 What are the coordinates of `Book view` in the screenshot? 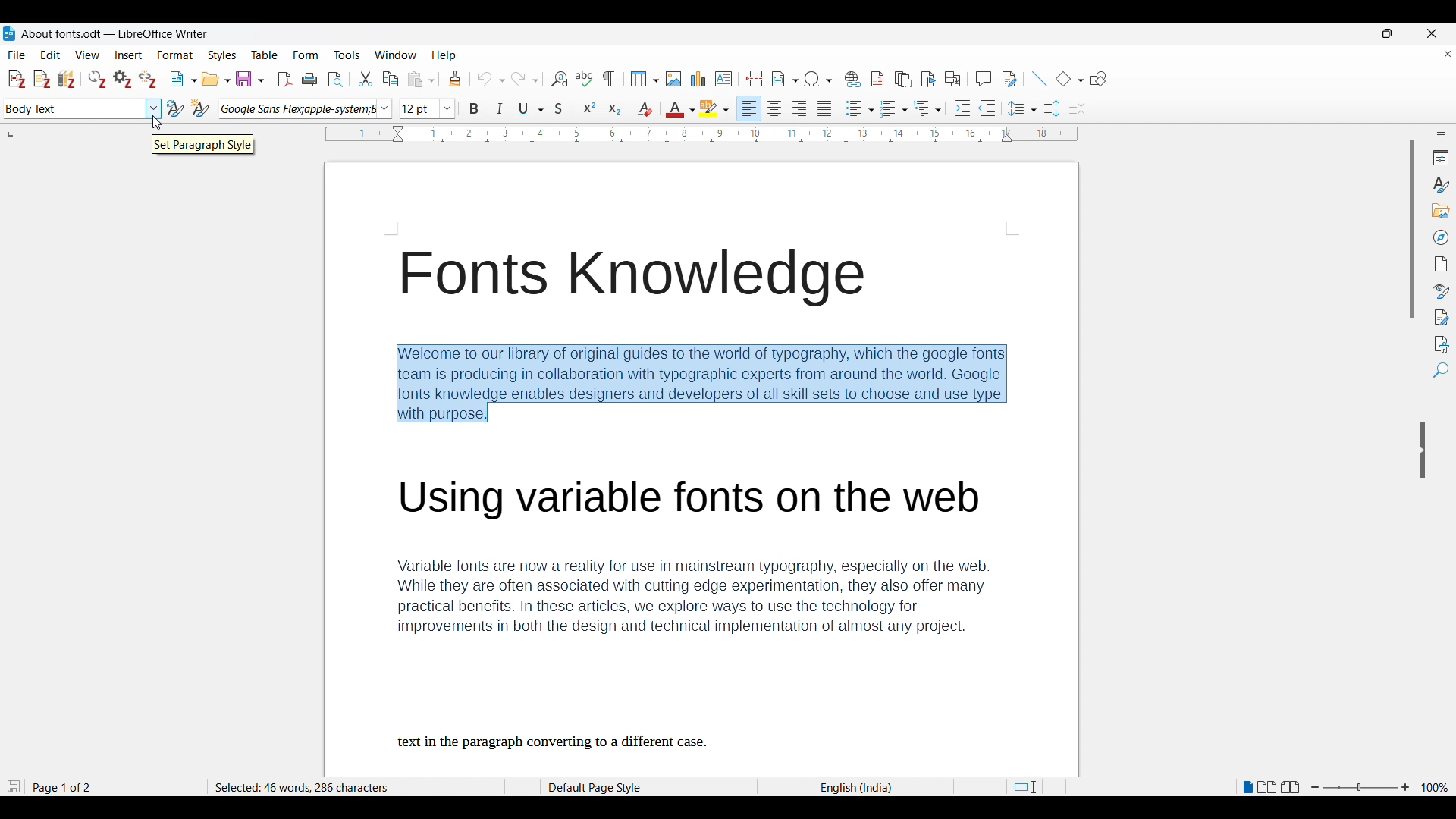 It's located at (1291, 787).